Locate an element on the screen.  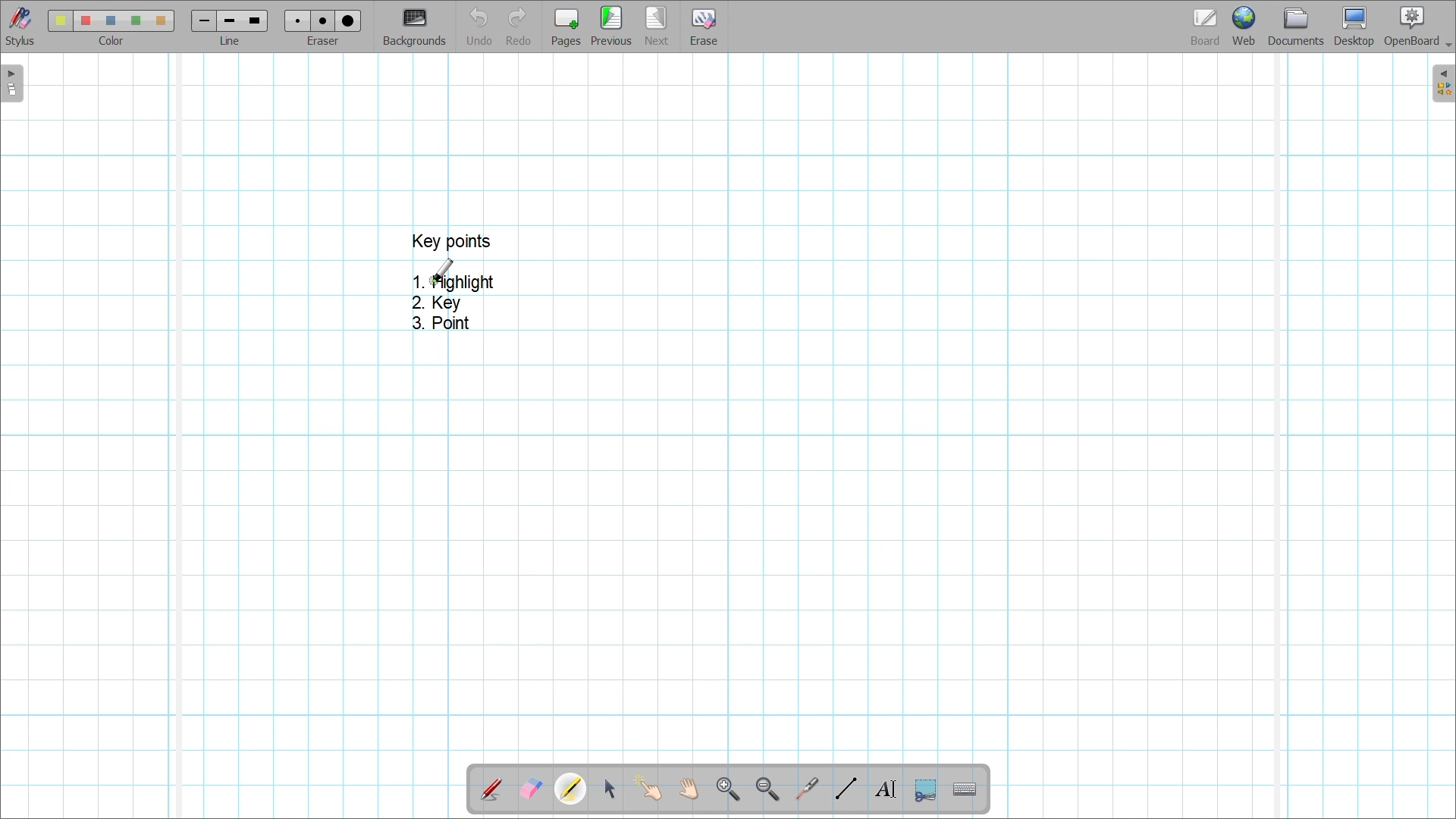
Interact with items is located at coordinates (648, 788).